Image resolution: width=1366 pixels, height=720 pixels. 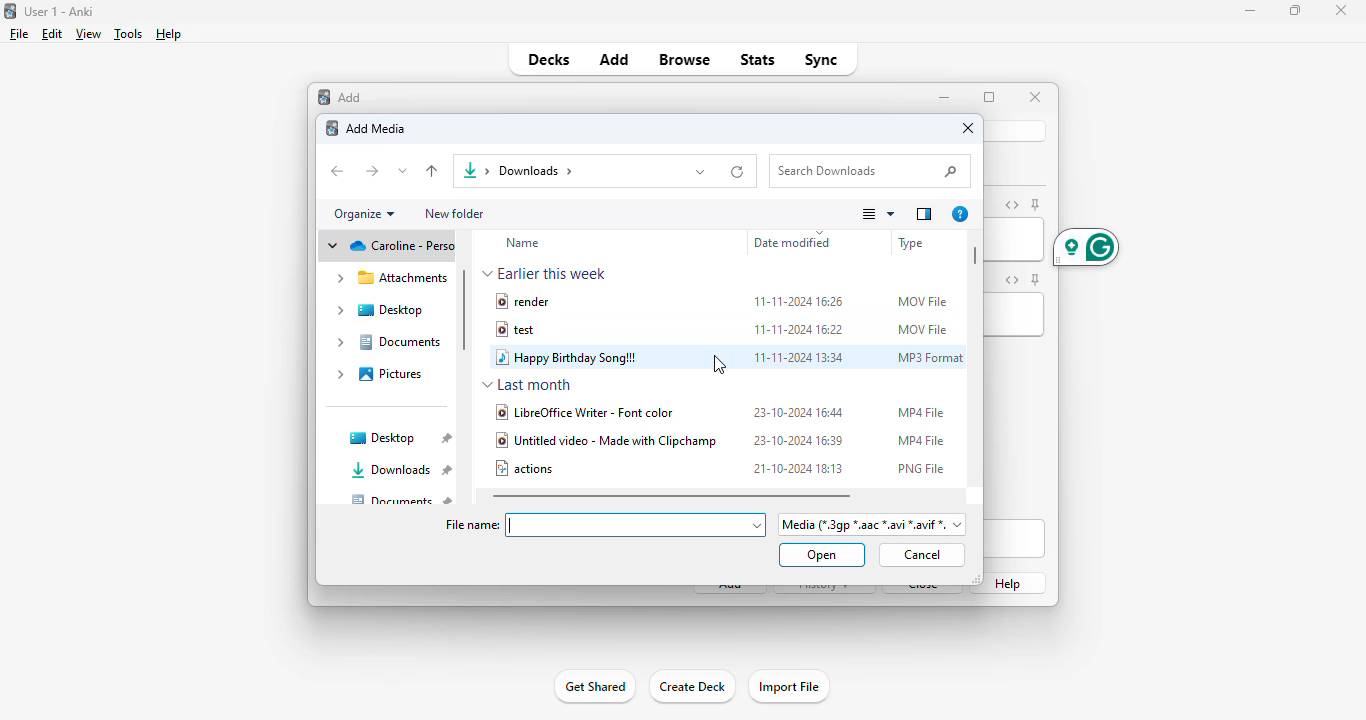 What do you see at coordinates (373, 171) in the screenshot?
I see `forward` at bounding box center [373, 171].